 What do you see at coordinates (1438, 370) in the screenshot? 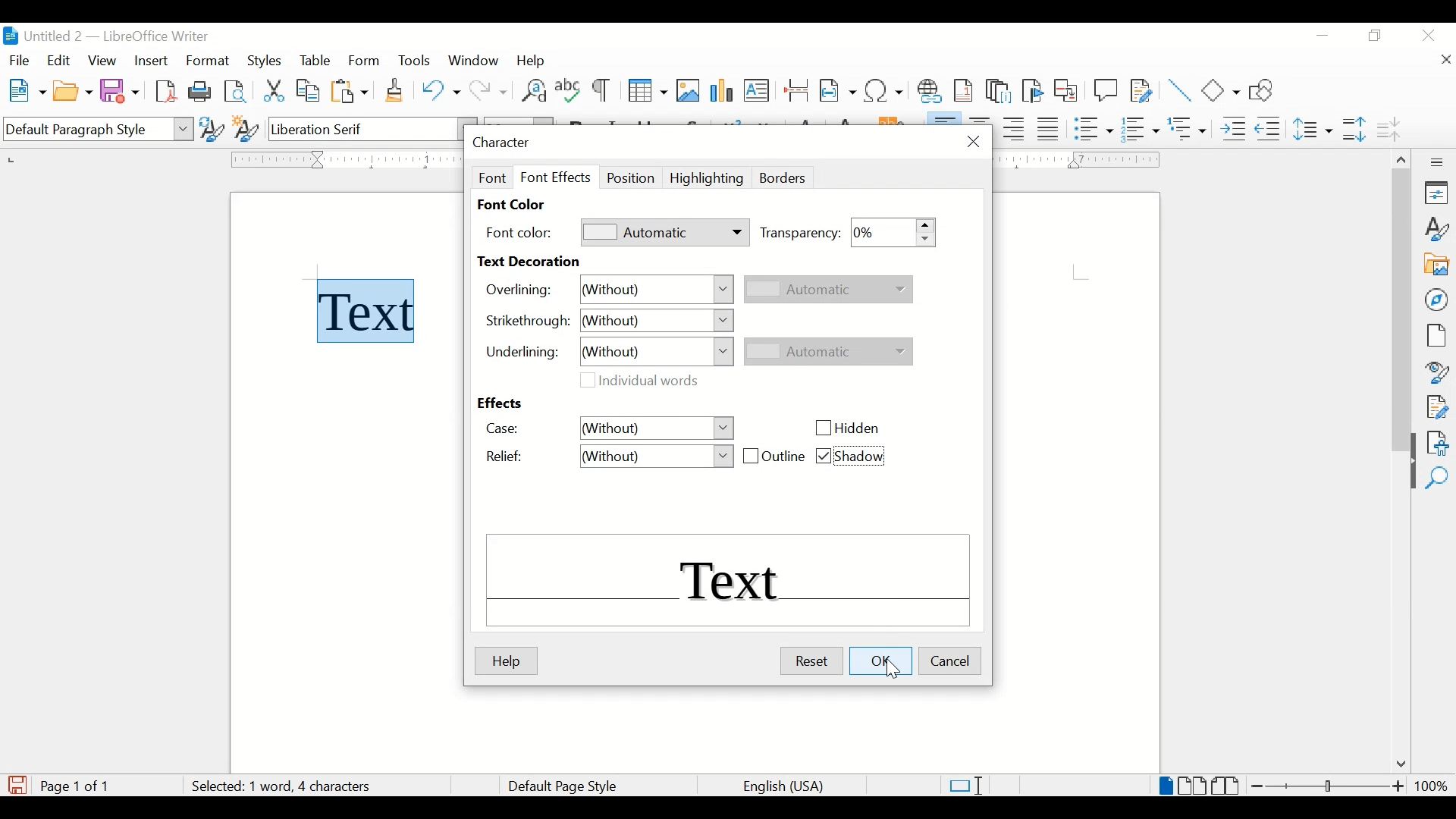
I see `style inspector` at bounding box center [1438, 370].